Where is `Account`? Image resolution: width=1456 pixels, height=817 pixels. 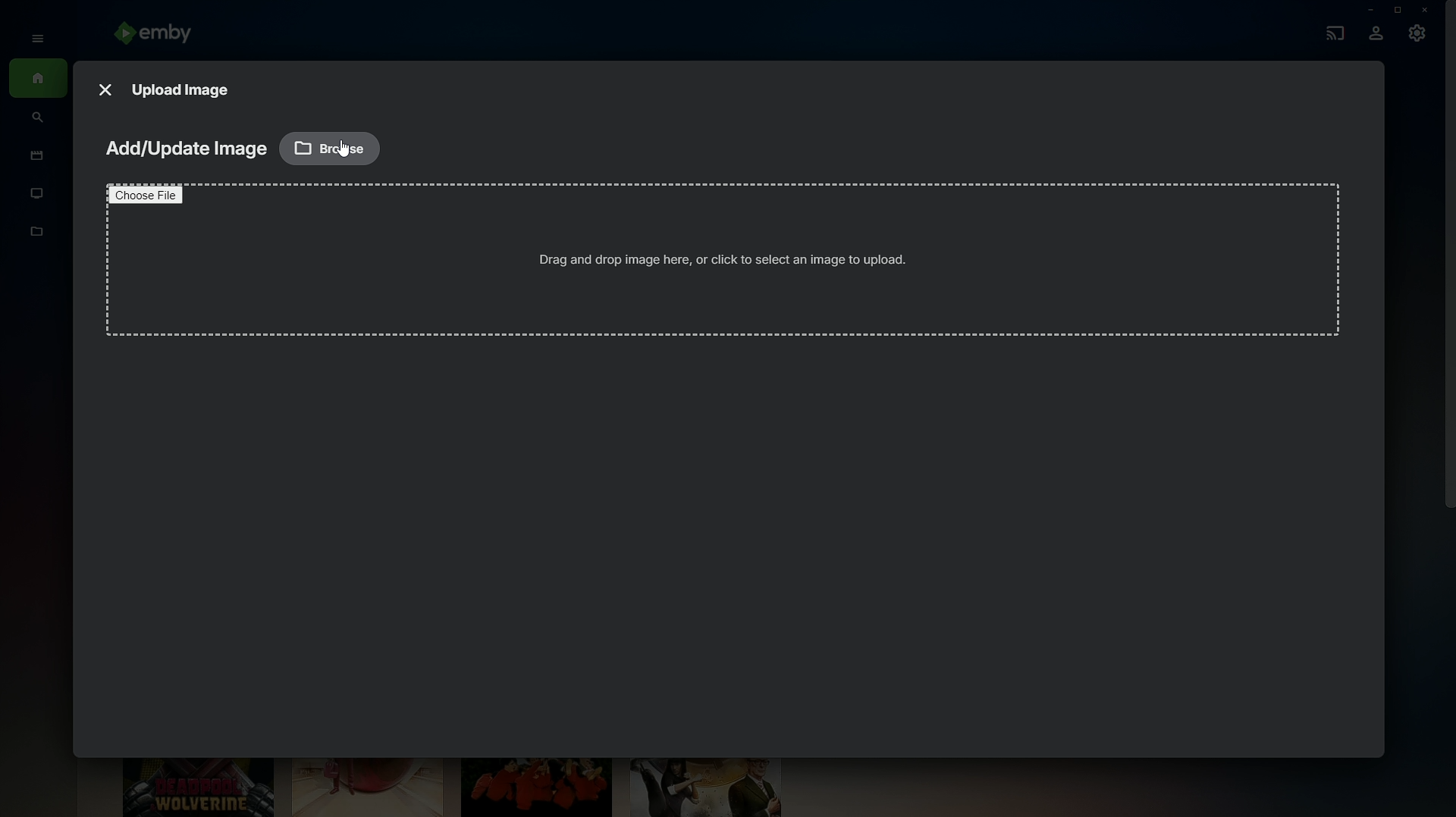
Account is located at coordinates (1376, 35).